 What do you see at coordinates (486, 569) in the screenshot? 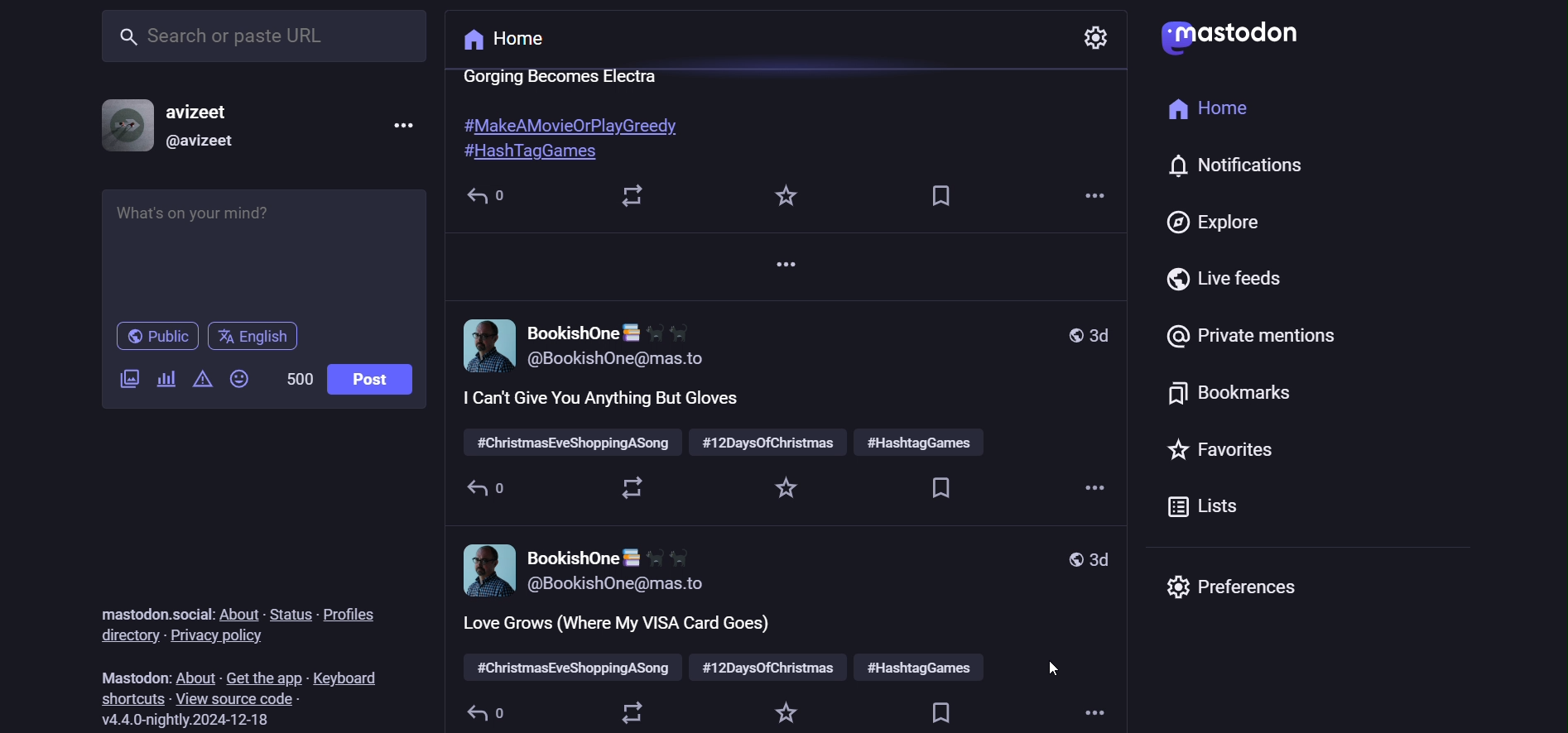
I see `FA` at bounding box center [486, 569].